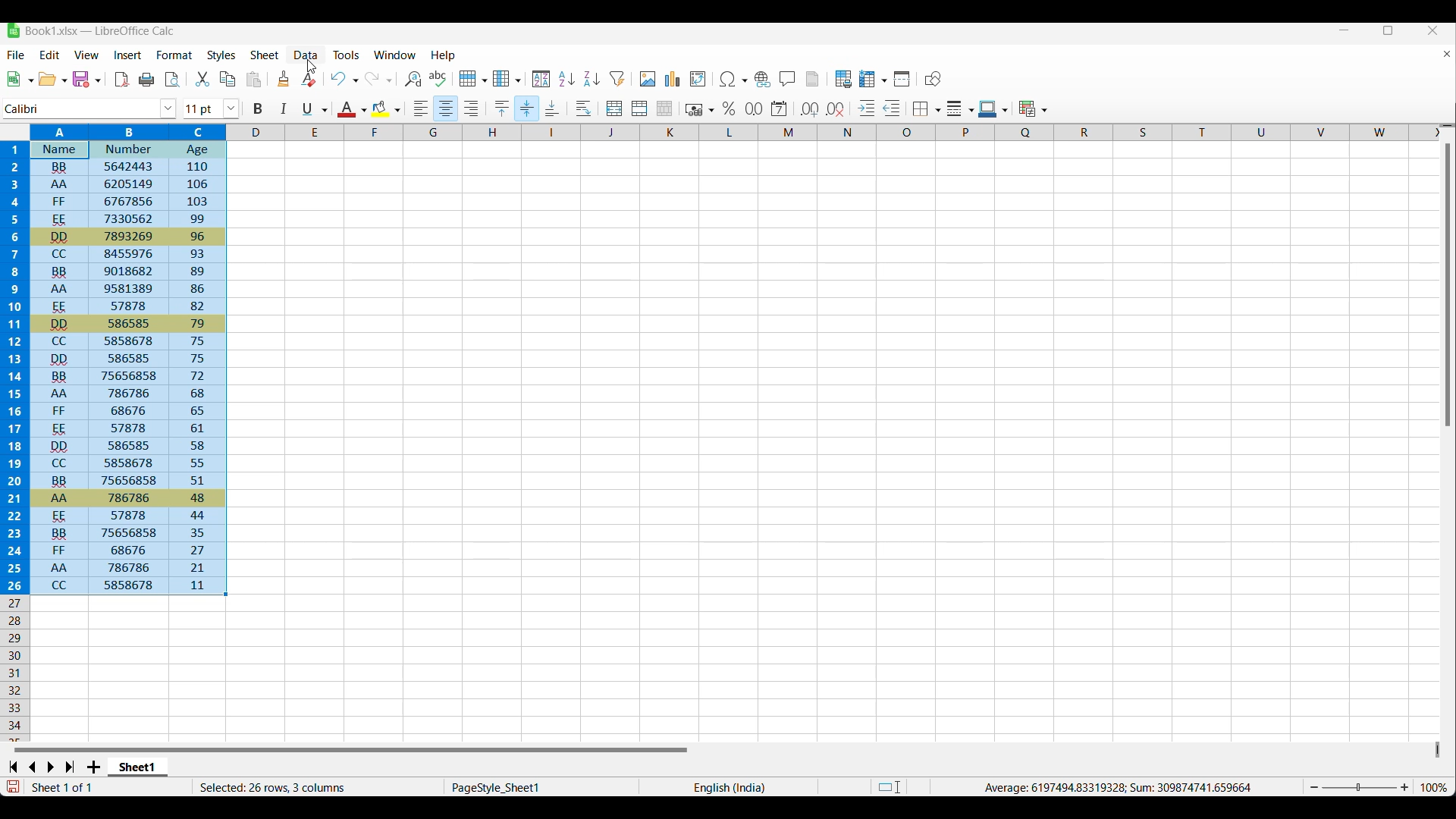 Image resolution: width=1456 pixels, height=819 pixels. I want to click on Merge and center or unmerge, so click(615, 108).